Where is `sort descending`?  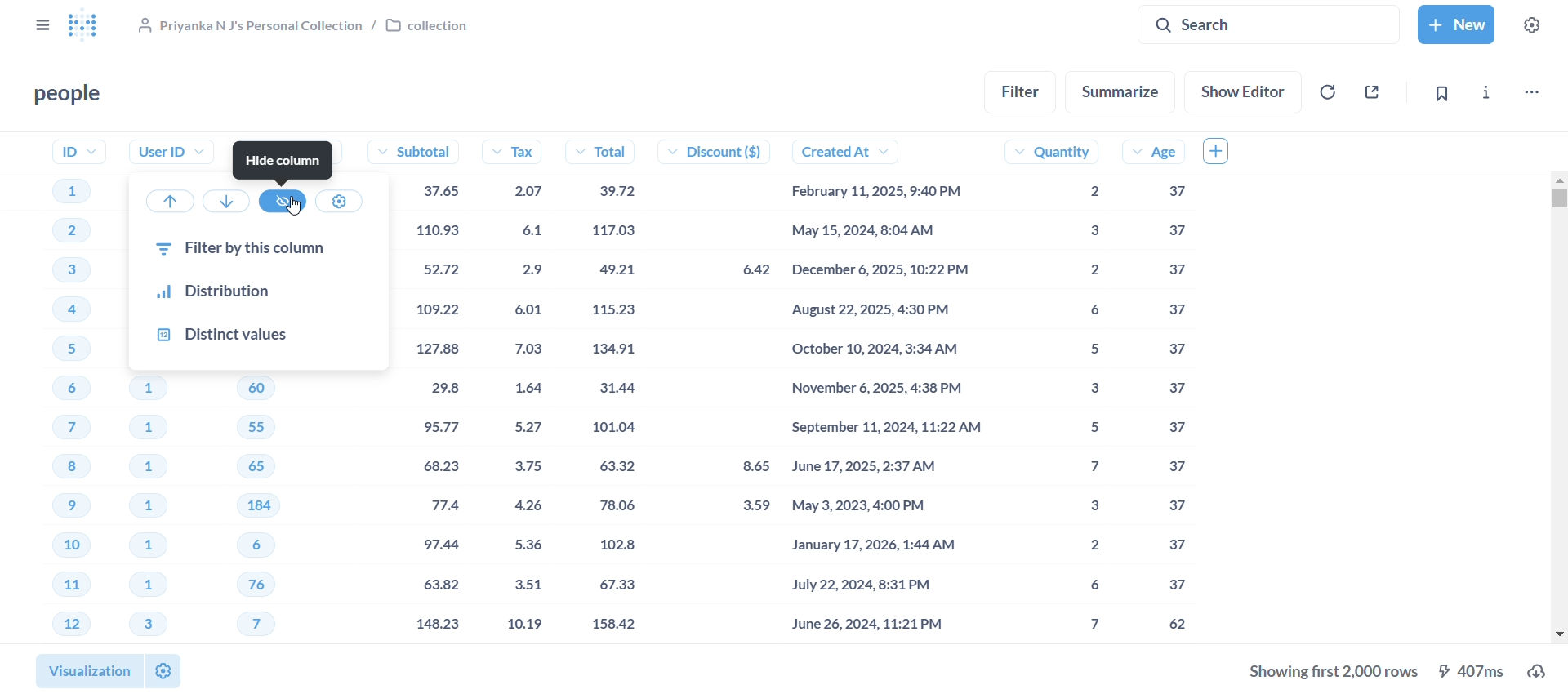
sort descending is located at coordinates (227, 200).